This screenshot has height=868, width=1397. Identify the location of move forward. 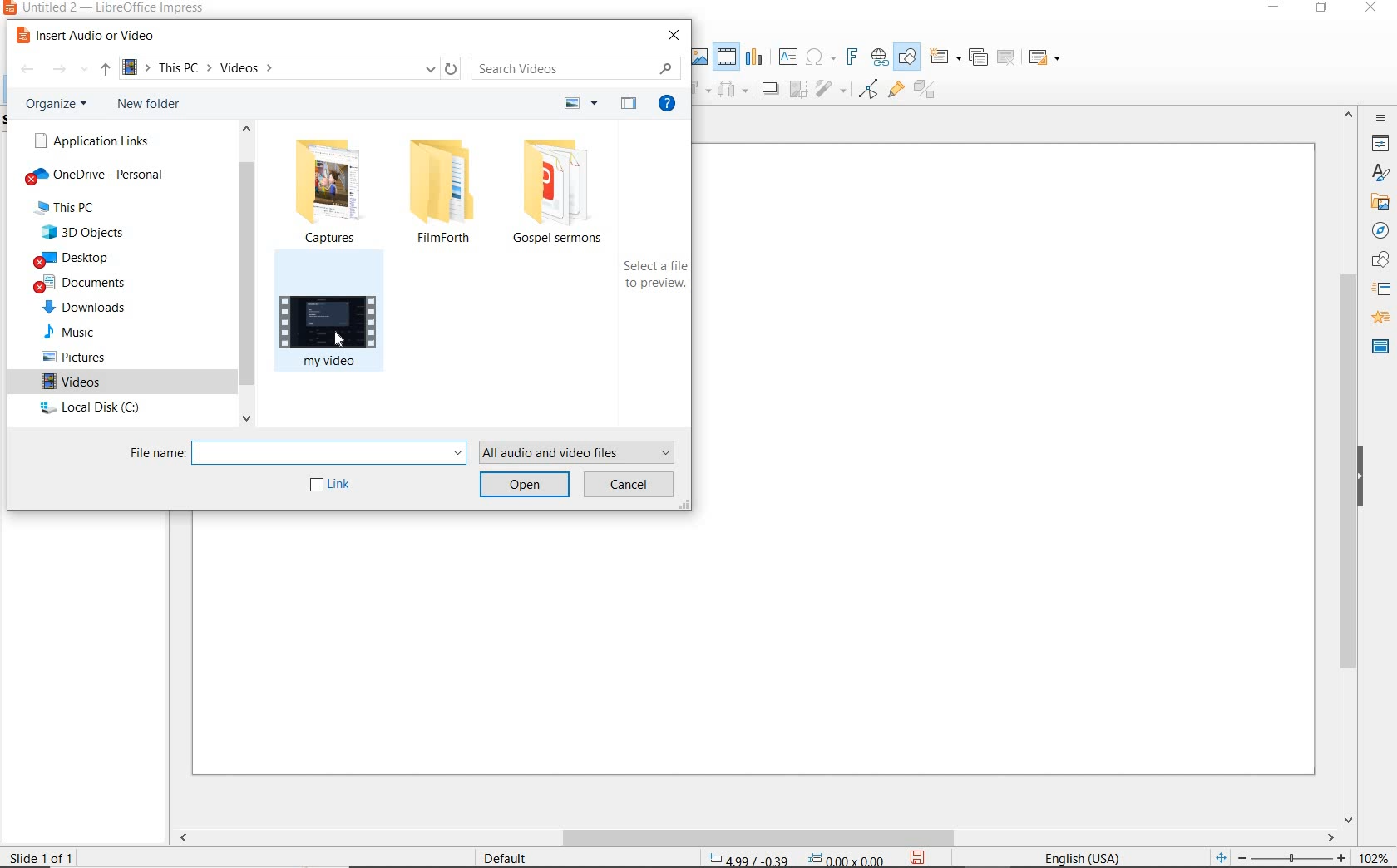
(772, 90).